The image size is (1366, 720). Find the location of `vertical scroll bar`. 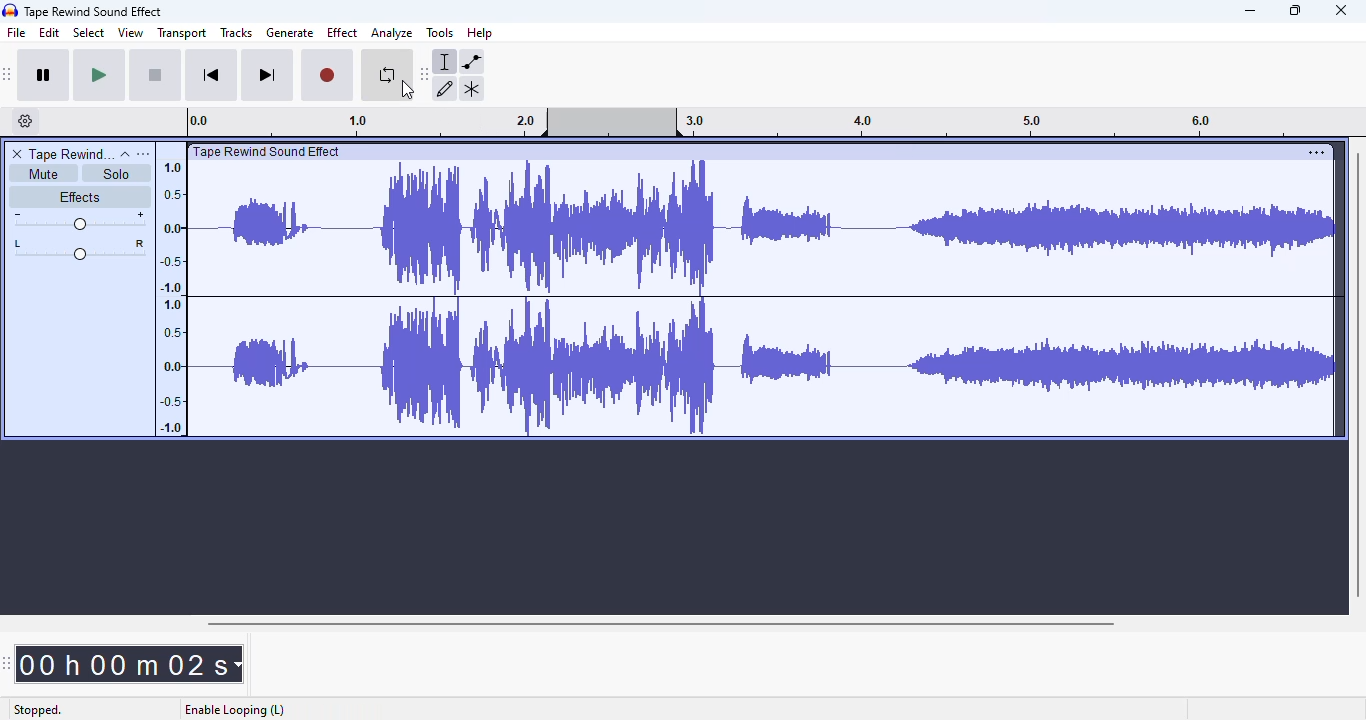

vertical scroll bar is located at coordinates (1359, 370).